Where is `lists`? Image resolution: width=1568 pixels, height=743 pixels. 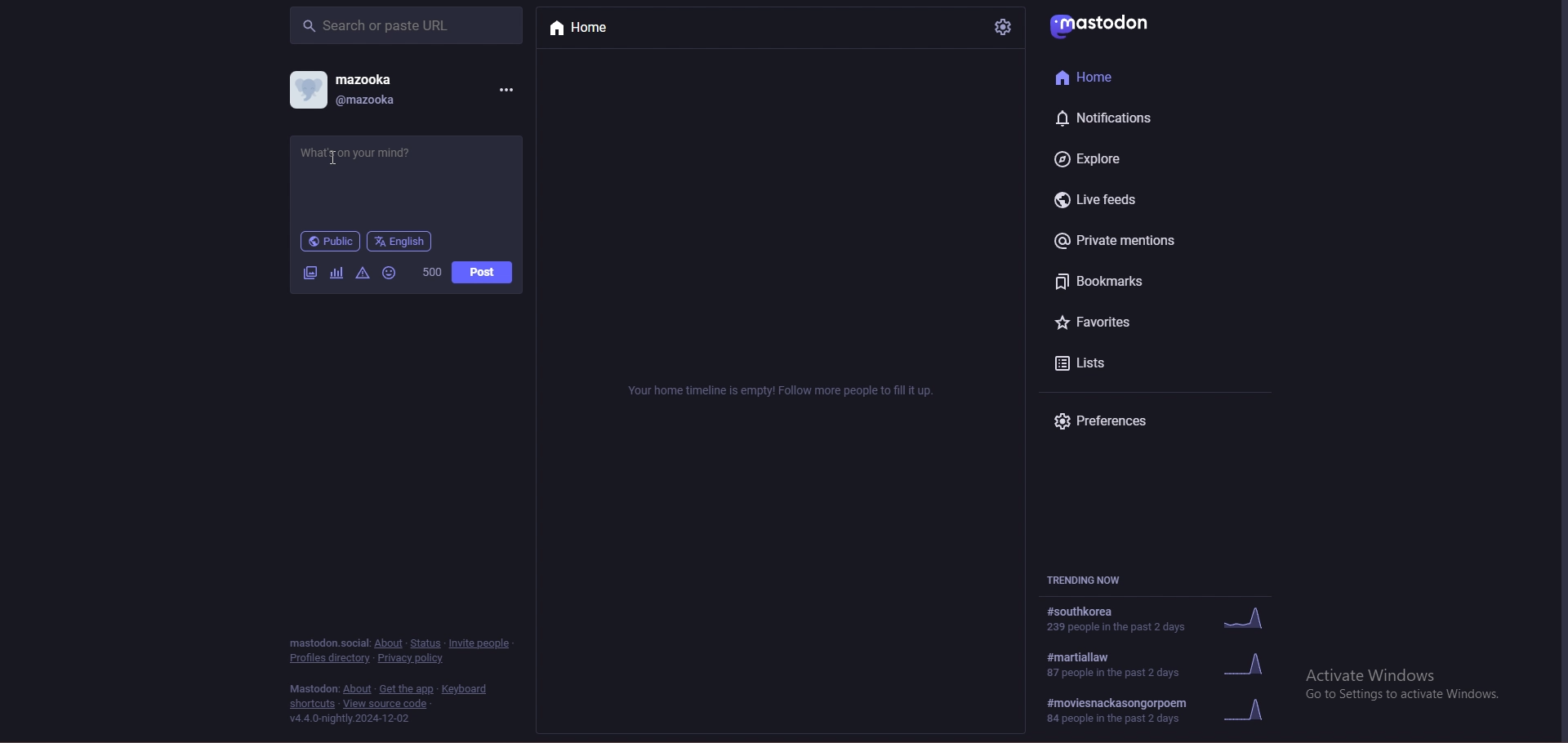 lists is located at coordinates (1111, 363).